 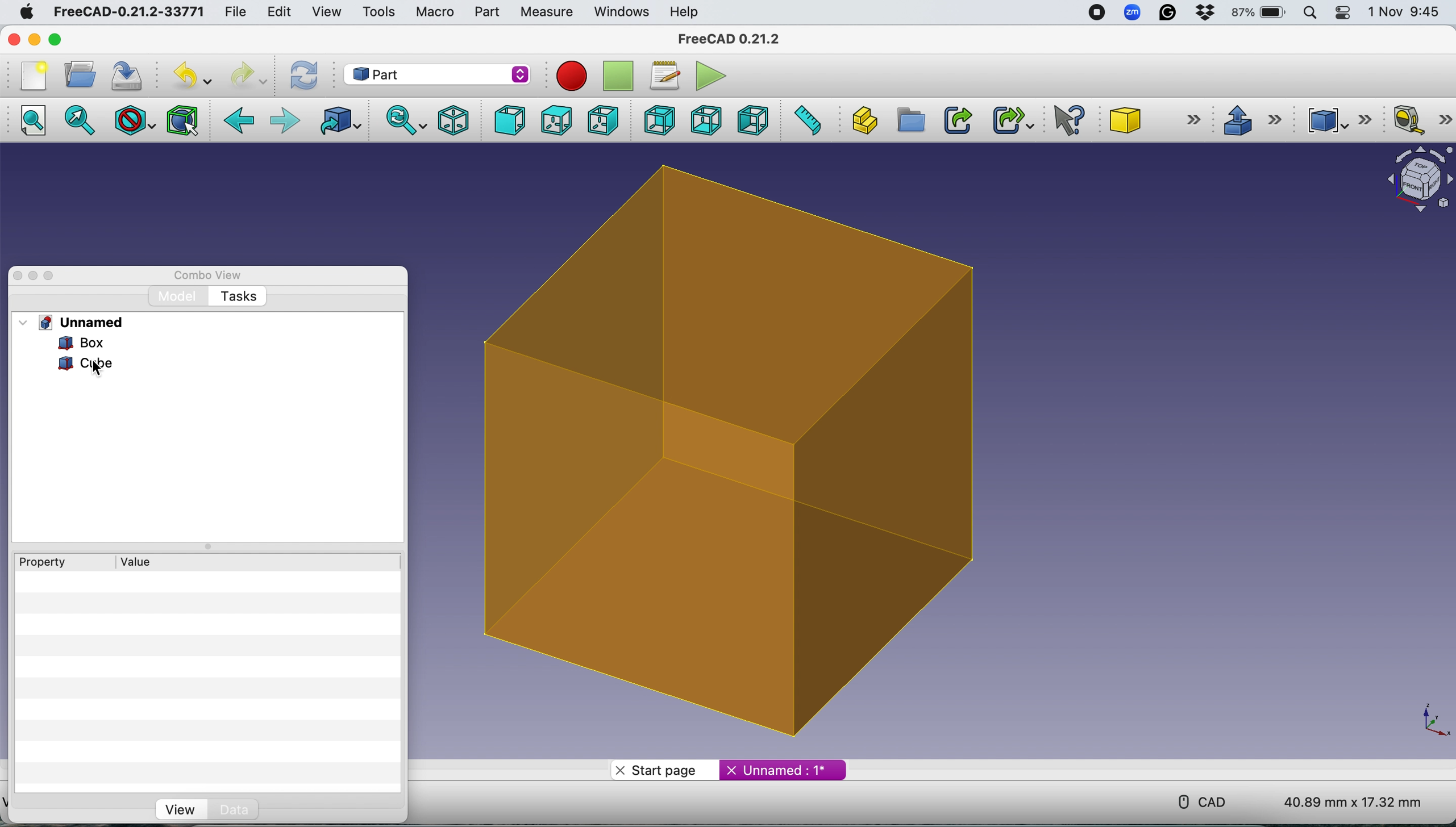 I want to click on Bounding box, so click(x=184, y=119).